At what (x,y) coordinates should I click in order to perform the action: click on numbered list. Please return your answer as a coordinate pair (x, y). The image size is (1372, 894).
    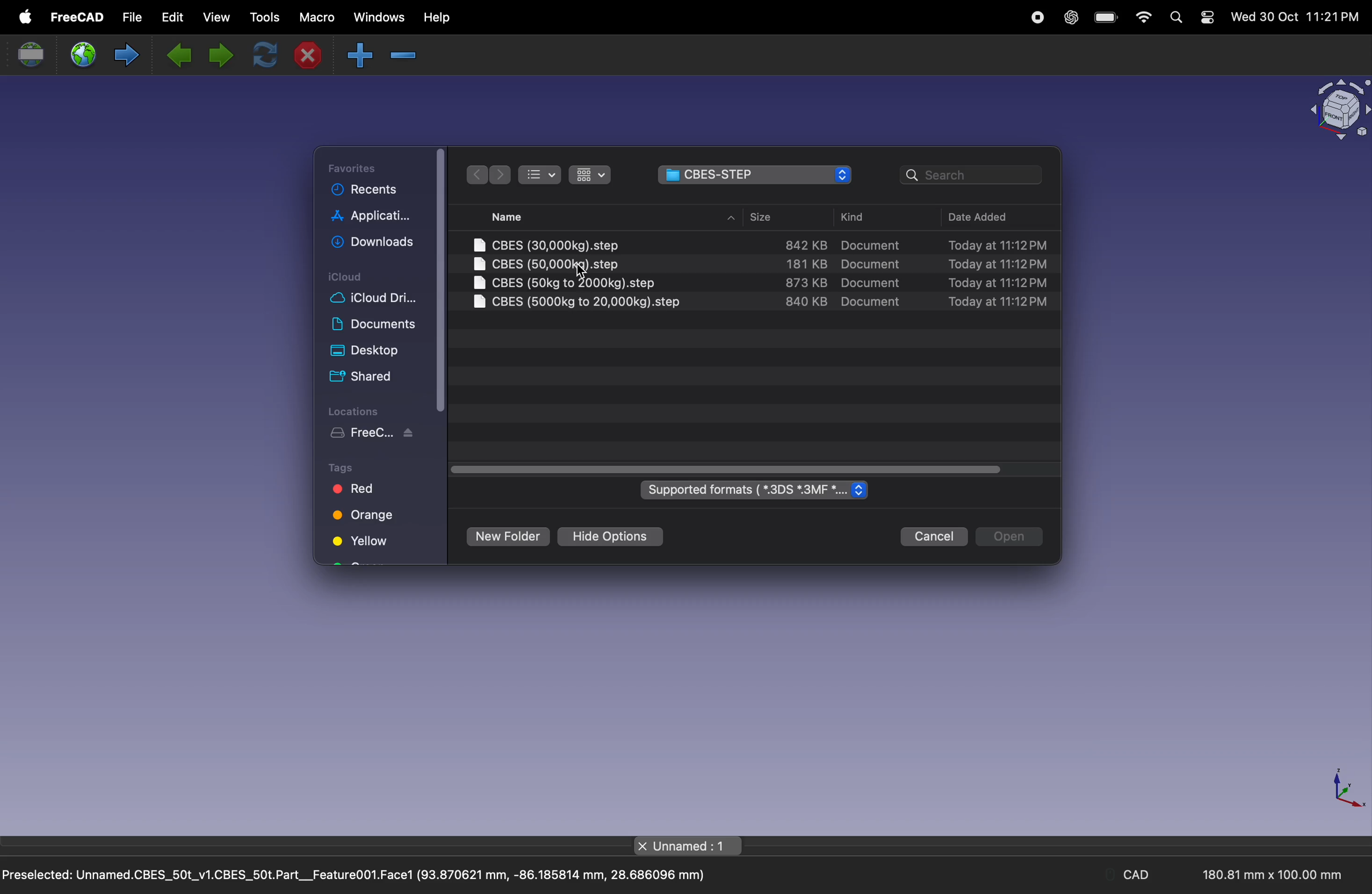
    Looking at the image, I should click on (540, 173).